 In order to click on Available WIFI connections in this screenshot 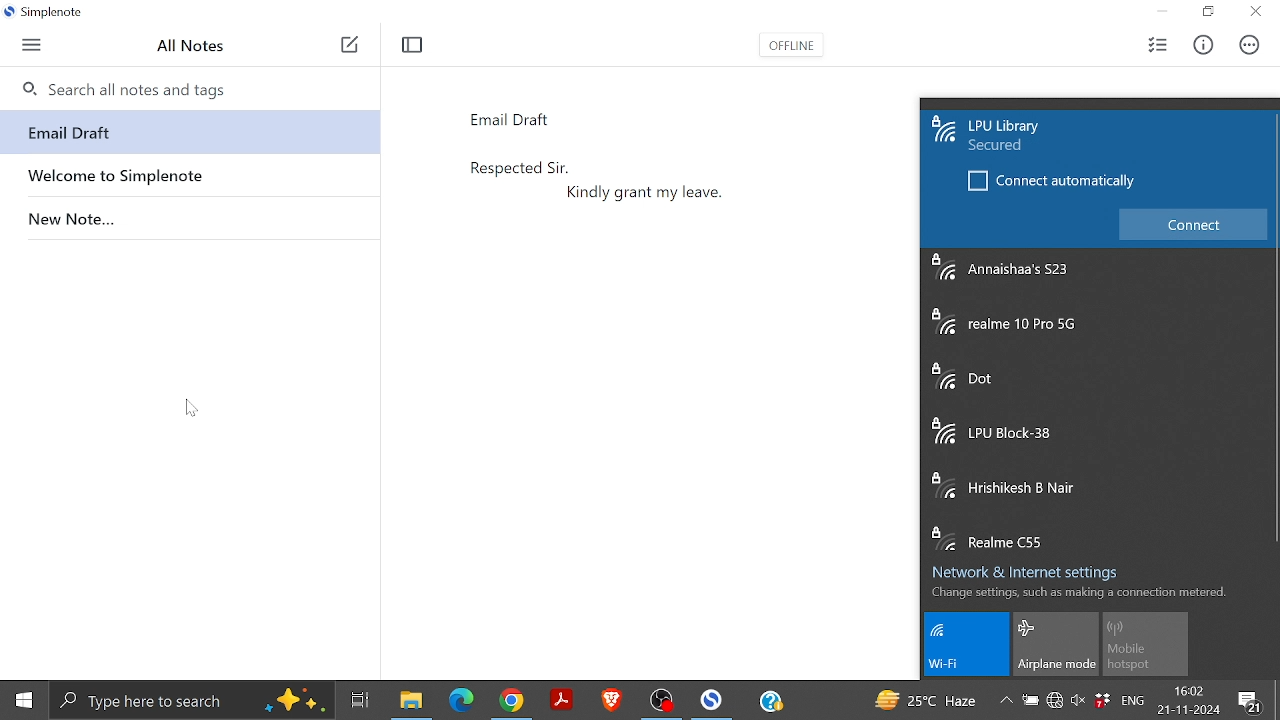, I will do `click(1098, 400)`.